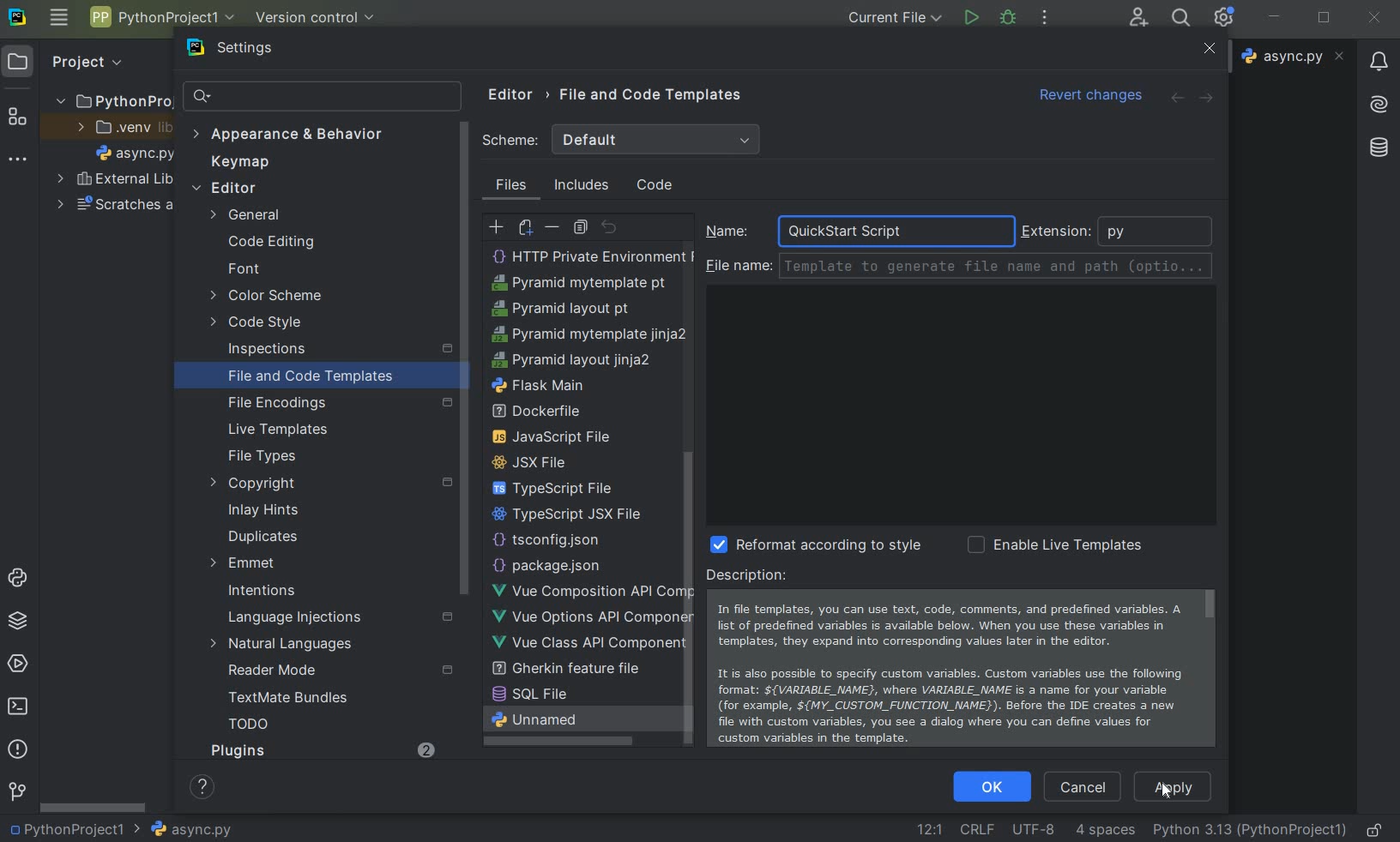  Describe the element at coordinates (18, 120) in the screenshot. I see `structure` at that location.